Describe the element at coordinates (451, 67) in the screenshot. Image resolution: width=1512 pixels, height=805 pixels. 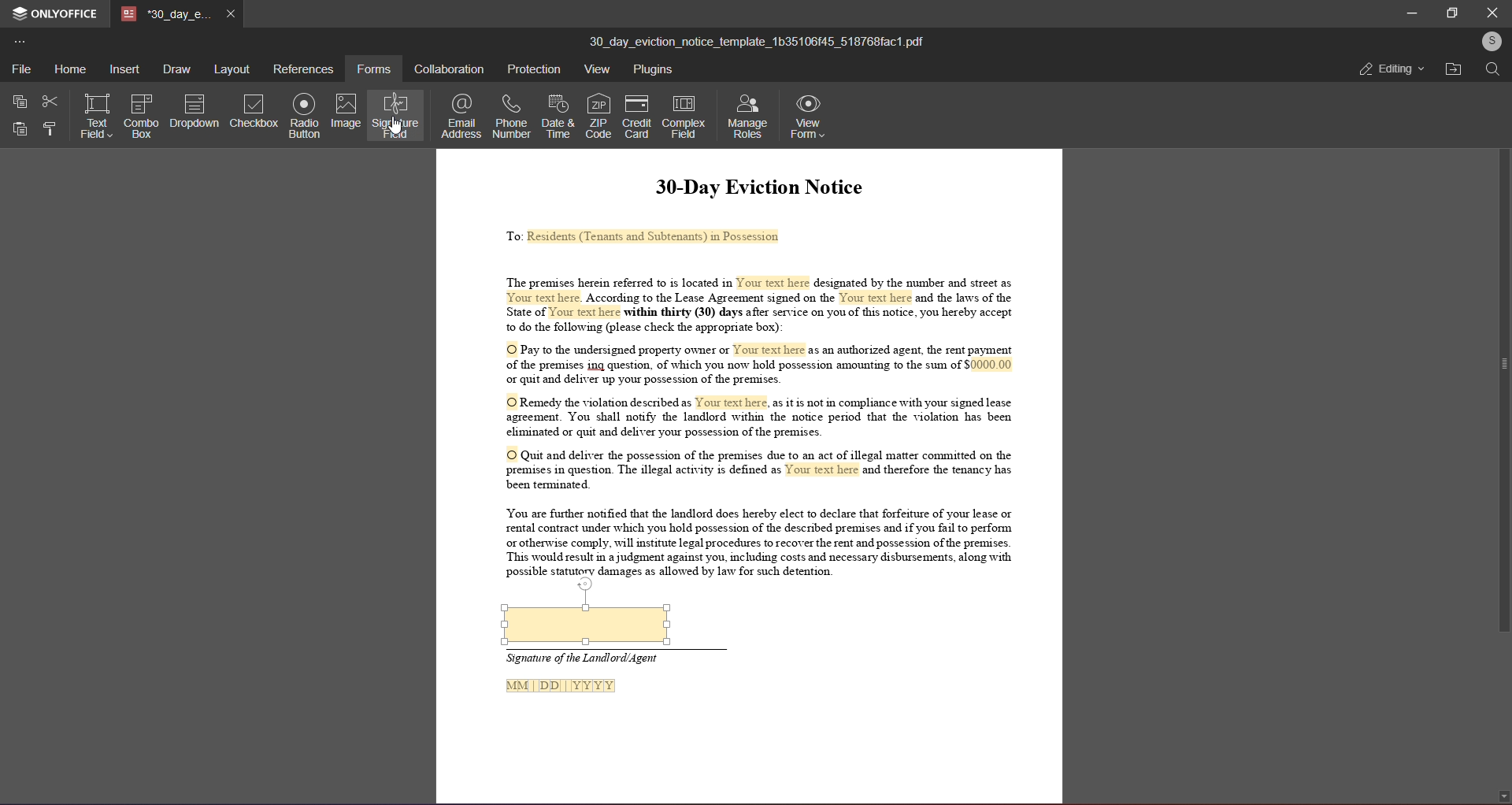
I see `collaboration` at that location.